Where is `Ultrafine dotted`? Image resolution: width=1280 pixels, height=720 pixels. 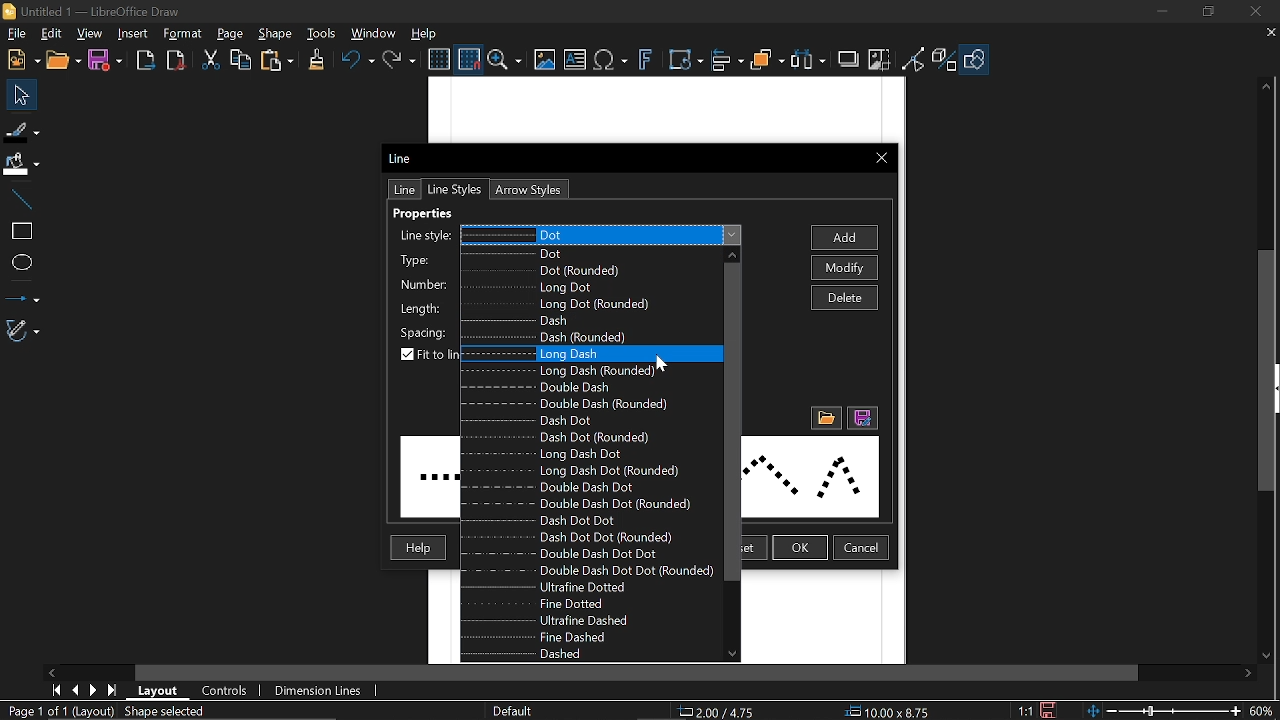 Ultrafine dotted is located at coordinates (593, 588).